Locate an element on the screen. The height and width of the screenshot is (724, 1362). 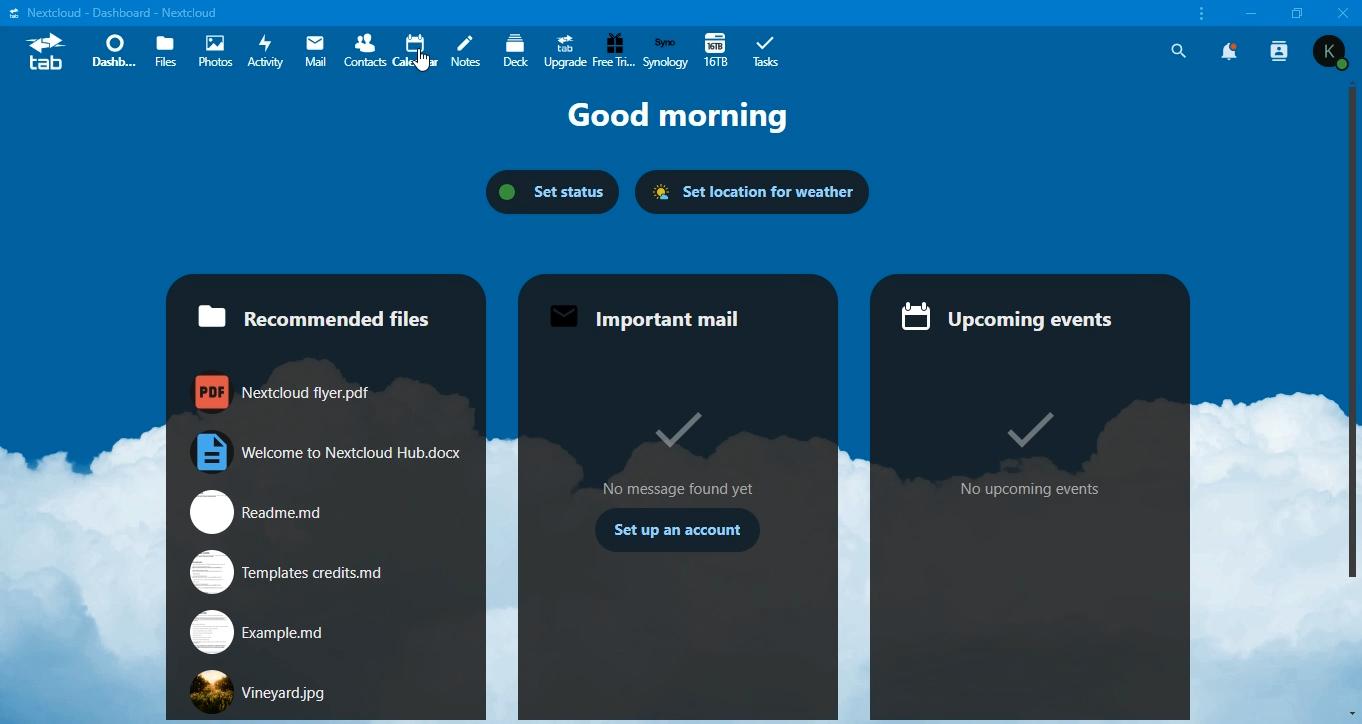
examples.md is located at coordinates (259, 631).